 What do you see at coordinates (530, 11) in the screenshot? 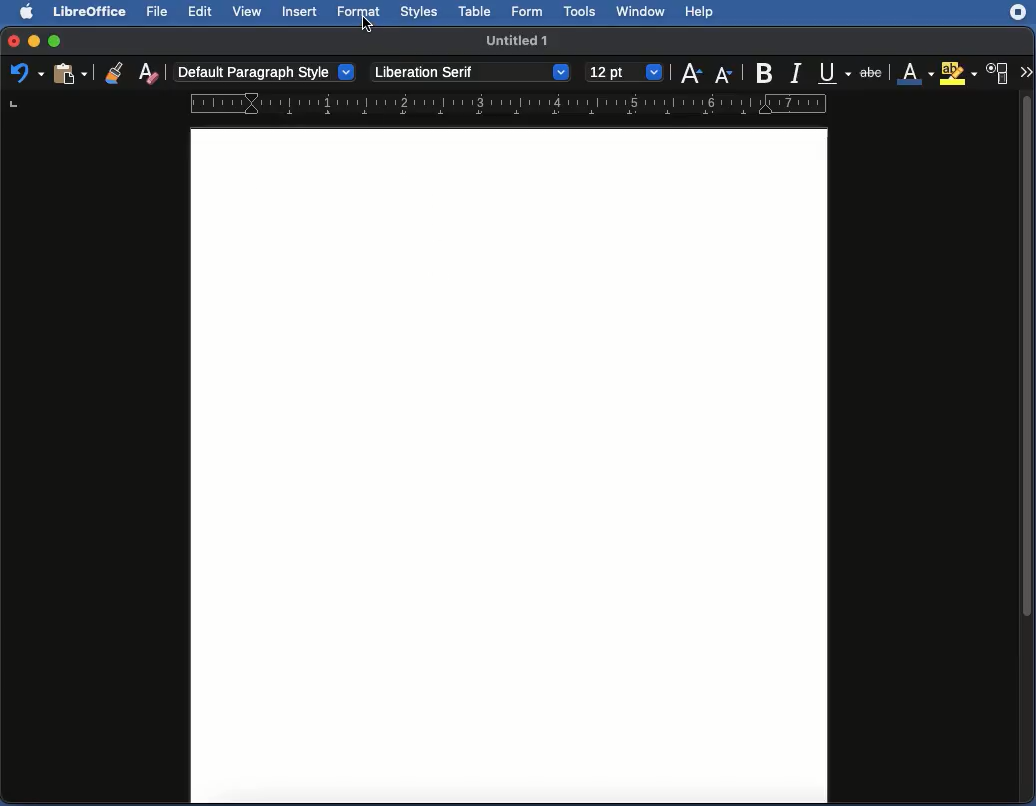
I see `Form` at bounding box center [530, 11].